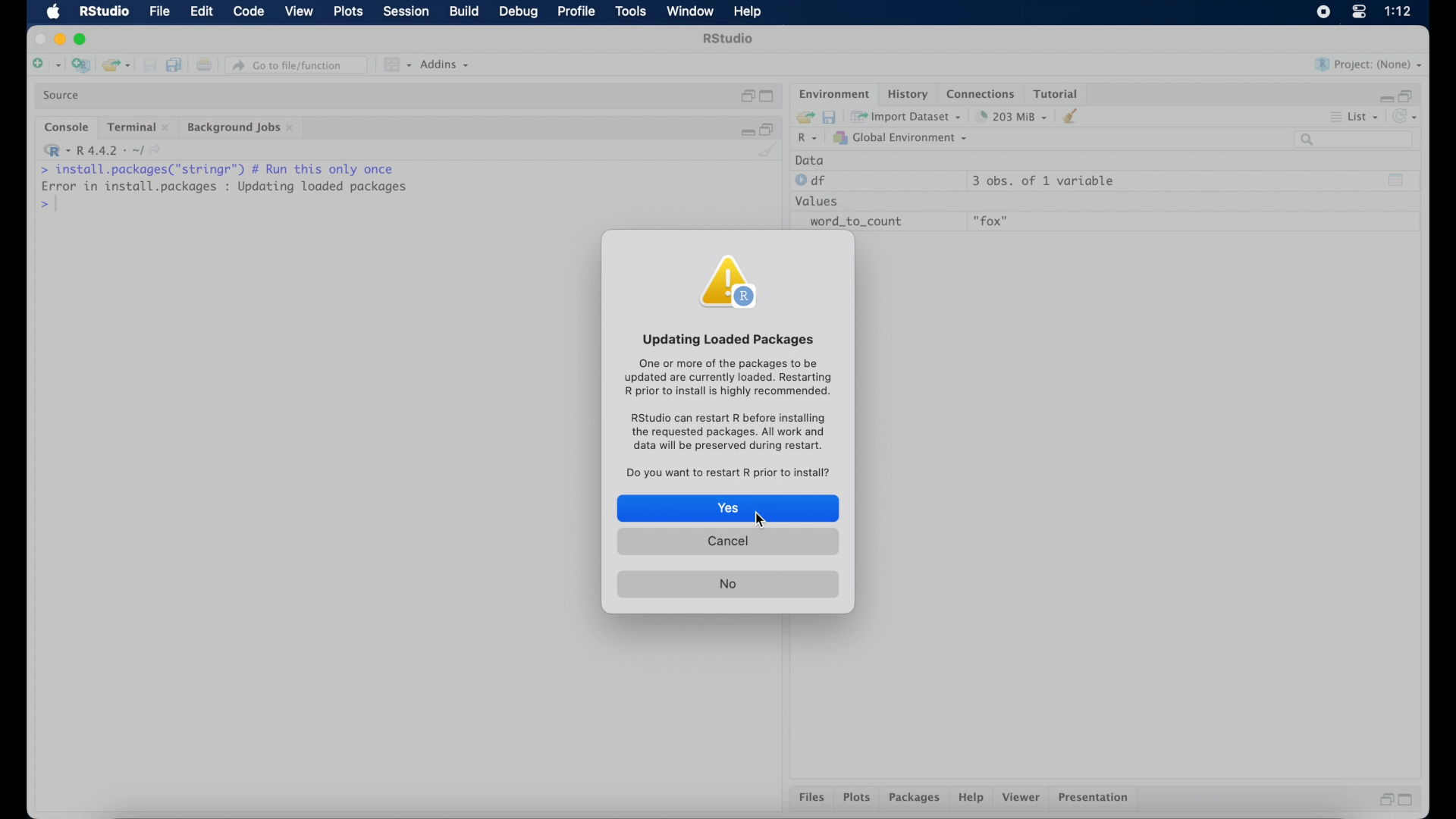 The width and height of the screenshot is (1456, 819). Describe the element at coordinates (1056, 92) in the screenshot. I see `tutorial` at that location.